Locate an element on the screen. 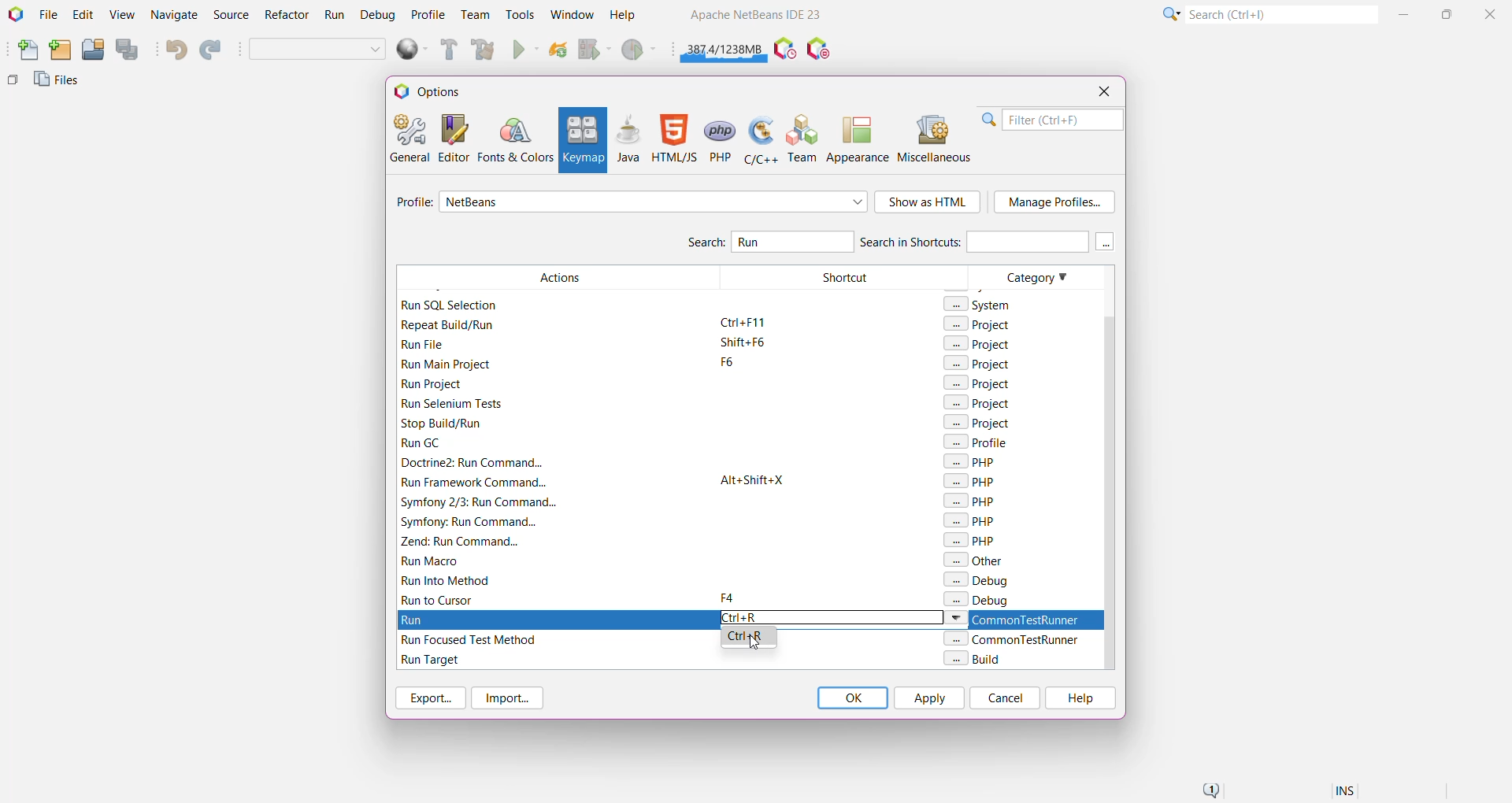  Minimize is located at coordinates (1406, 14).